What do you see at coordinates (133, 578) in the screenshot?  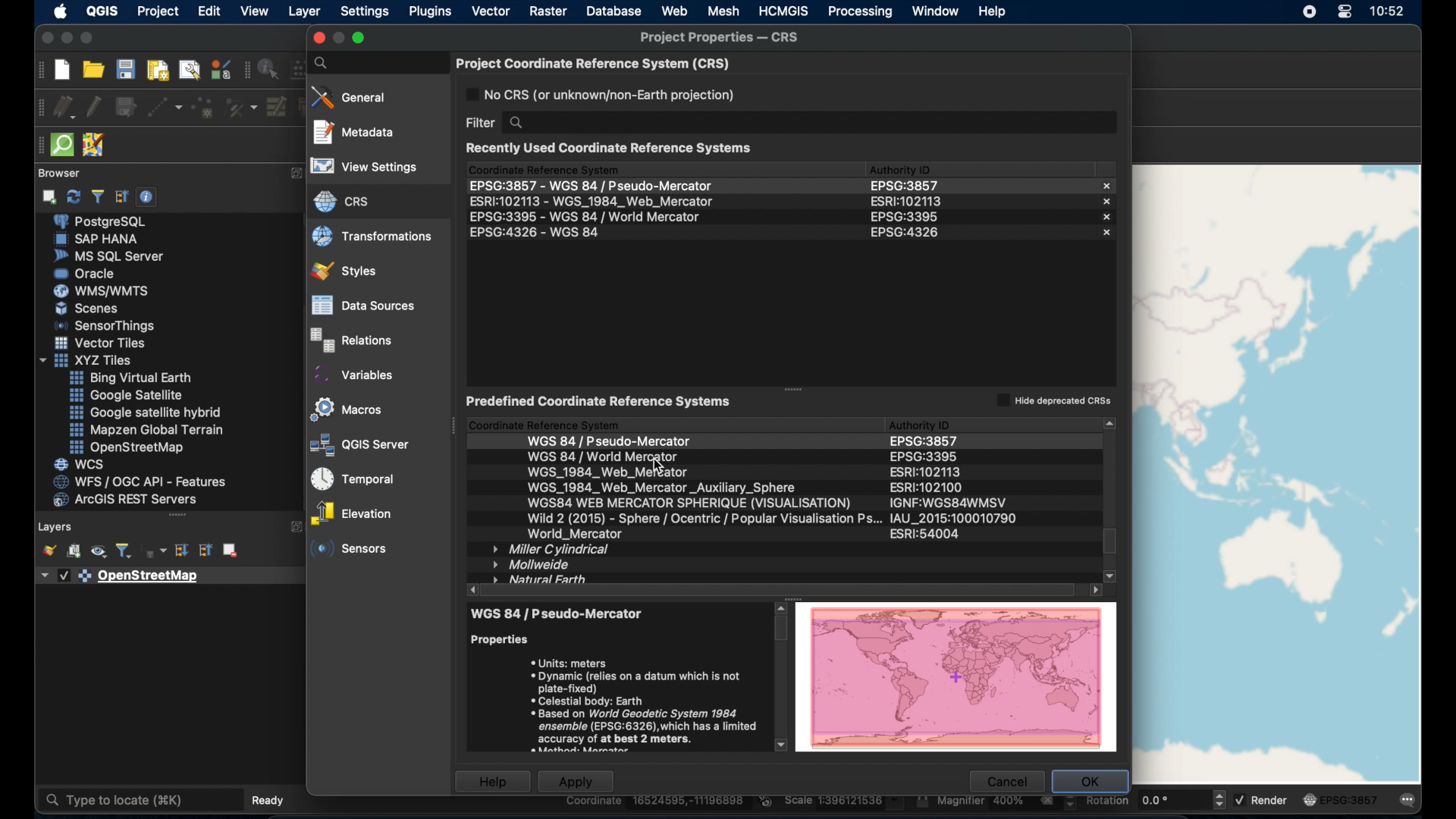 I see `openstreetmap` at bounding box center [133, 578].